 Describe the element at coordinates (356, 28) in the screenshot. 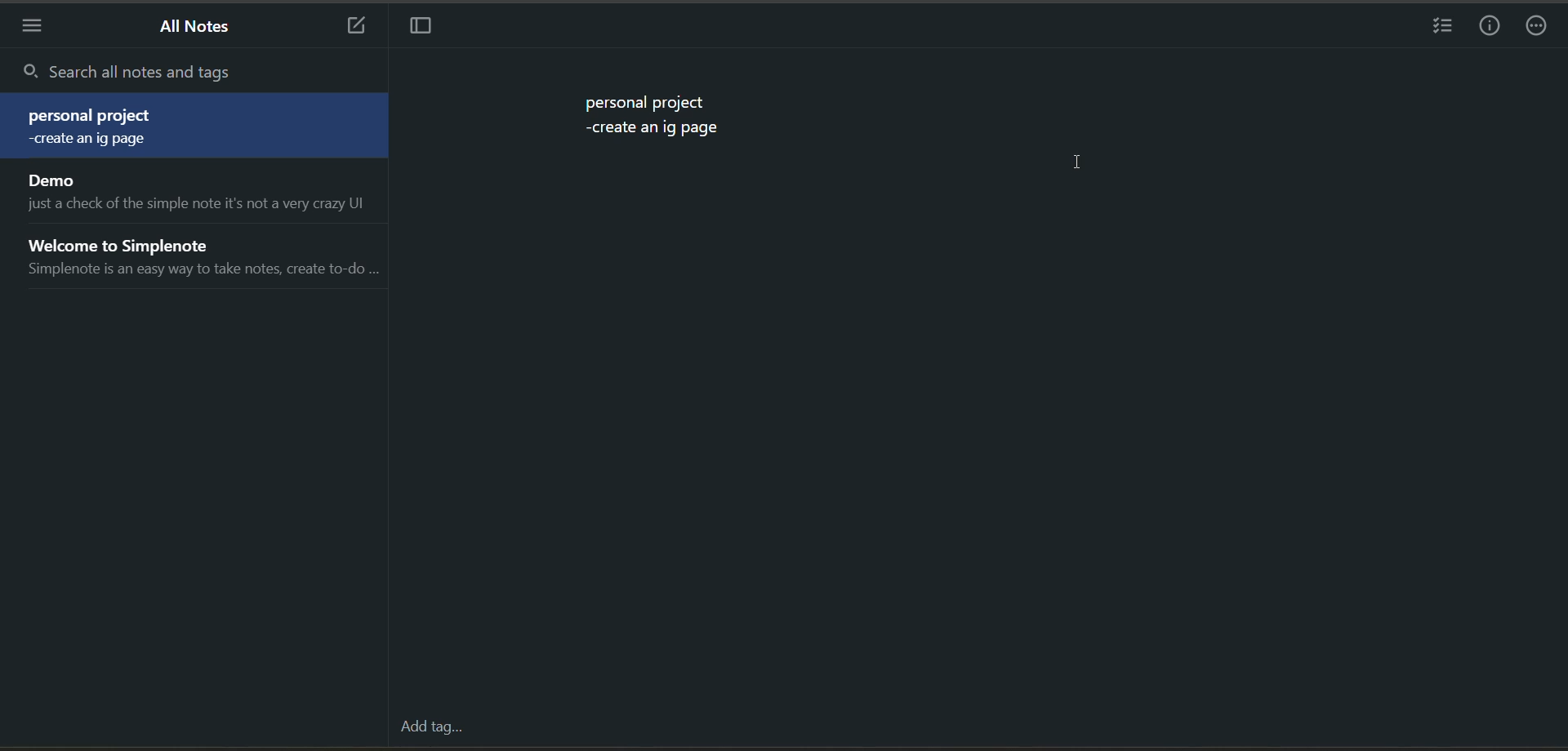

I see `new note` at that location.